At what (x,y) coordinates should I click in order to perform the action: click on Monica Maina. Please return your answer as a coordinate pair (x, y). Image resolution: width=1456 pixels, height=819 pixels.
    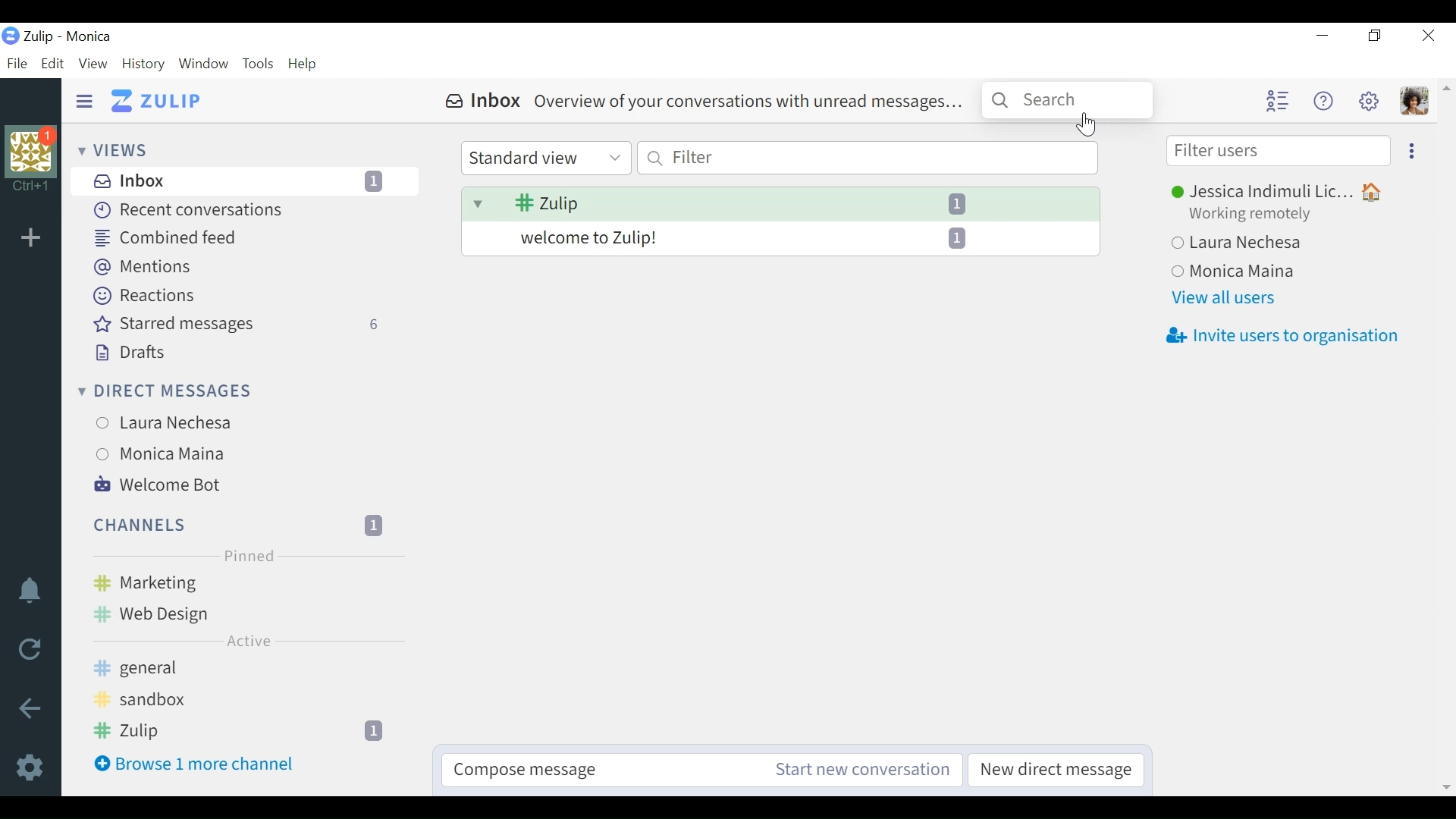
    Looking at the image, I should click on (202, 456).